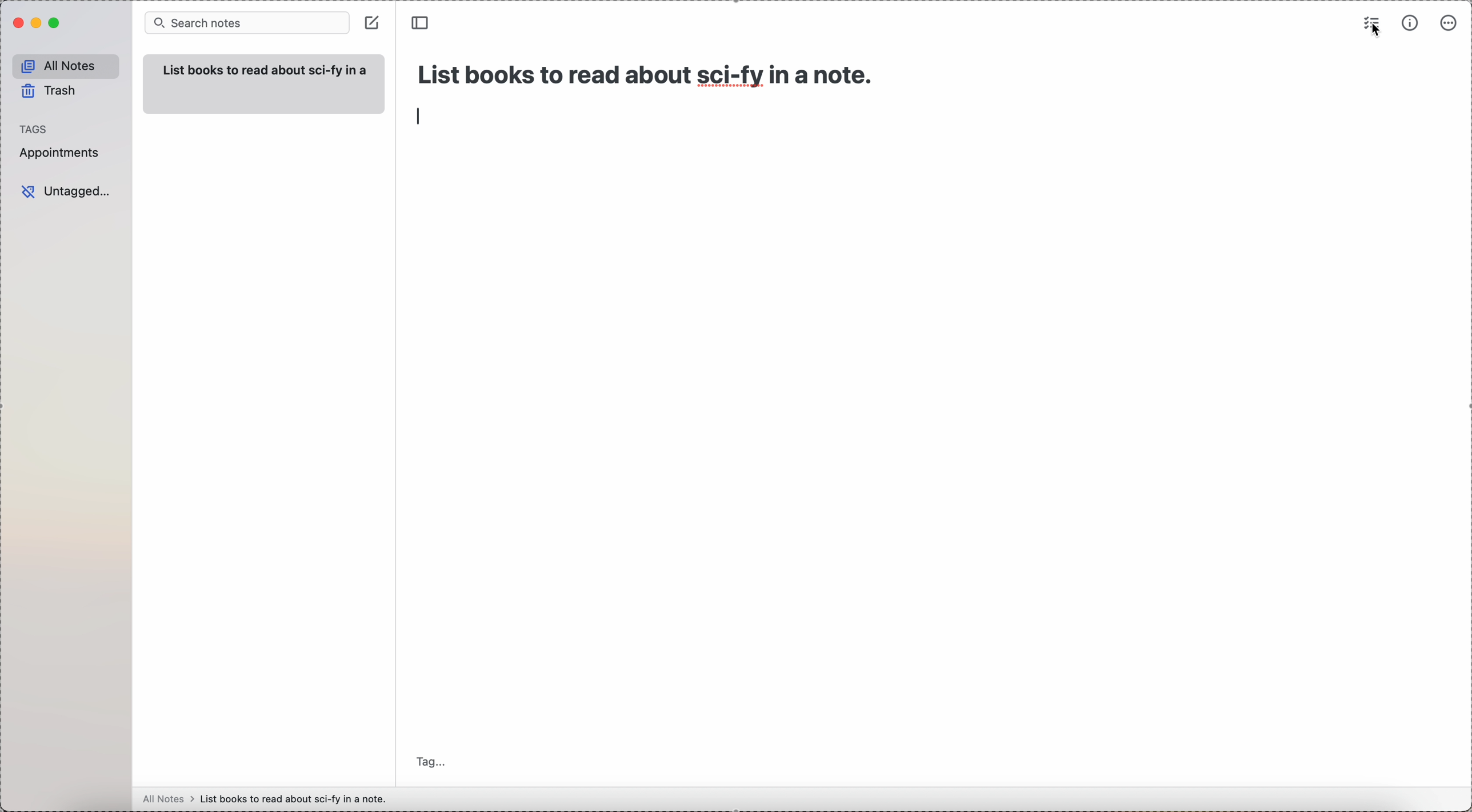 This screenshot has height=812, width=1472. I want to click on enter, so click(419, 116).